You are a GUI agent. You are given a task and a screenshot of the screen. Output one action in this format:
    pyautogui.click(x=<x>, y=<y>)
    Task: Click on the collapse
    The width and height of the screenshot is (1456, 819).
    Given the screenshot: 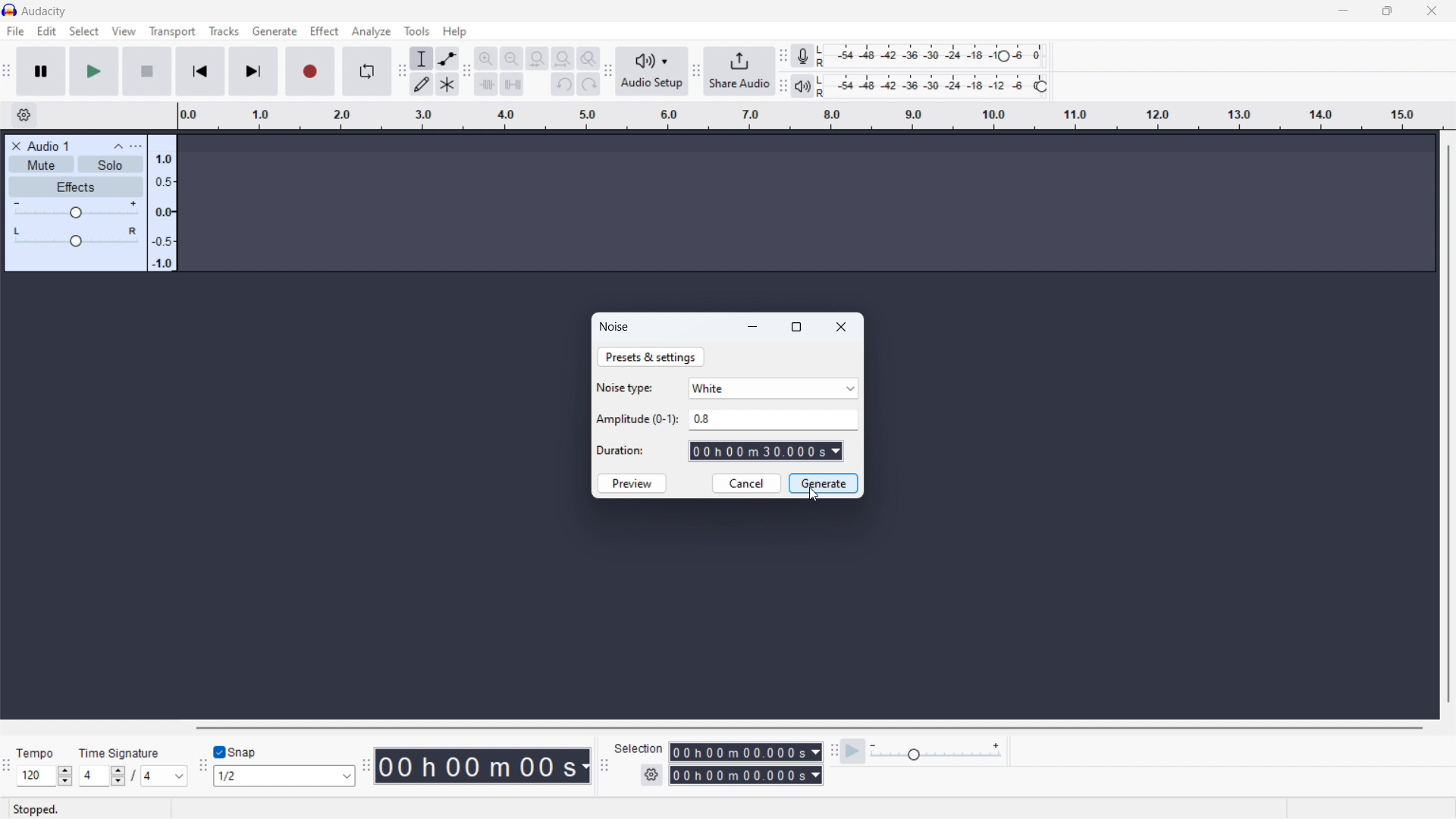 What is the action you would take?
    pyautogui.click(x=117, y=146)
    